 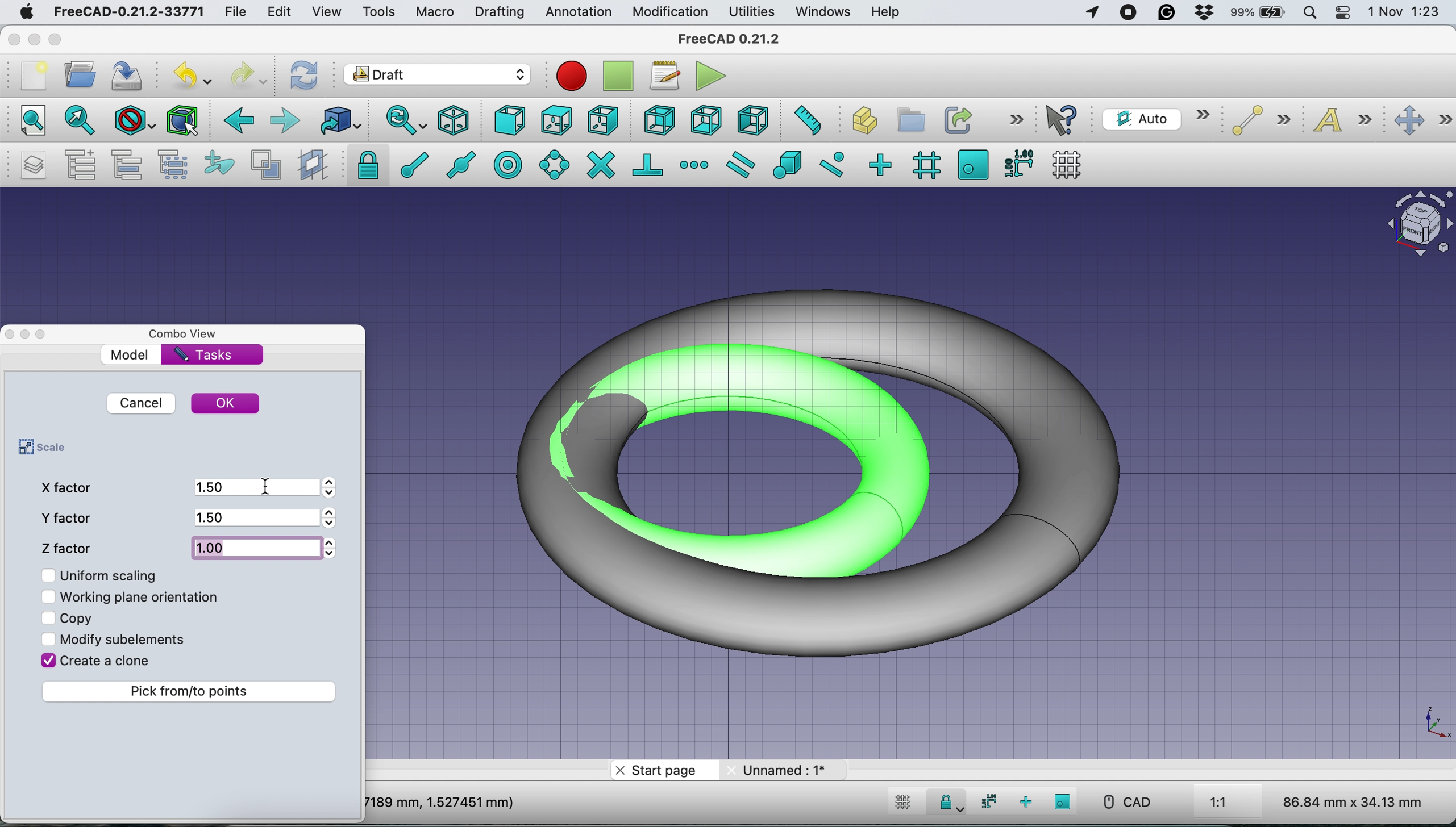 I want to click on more options, so click(x=1014, y=120).